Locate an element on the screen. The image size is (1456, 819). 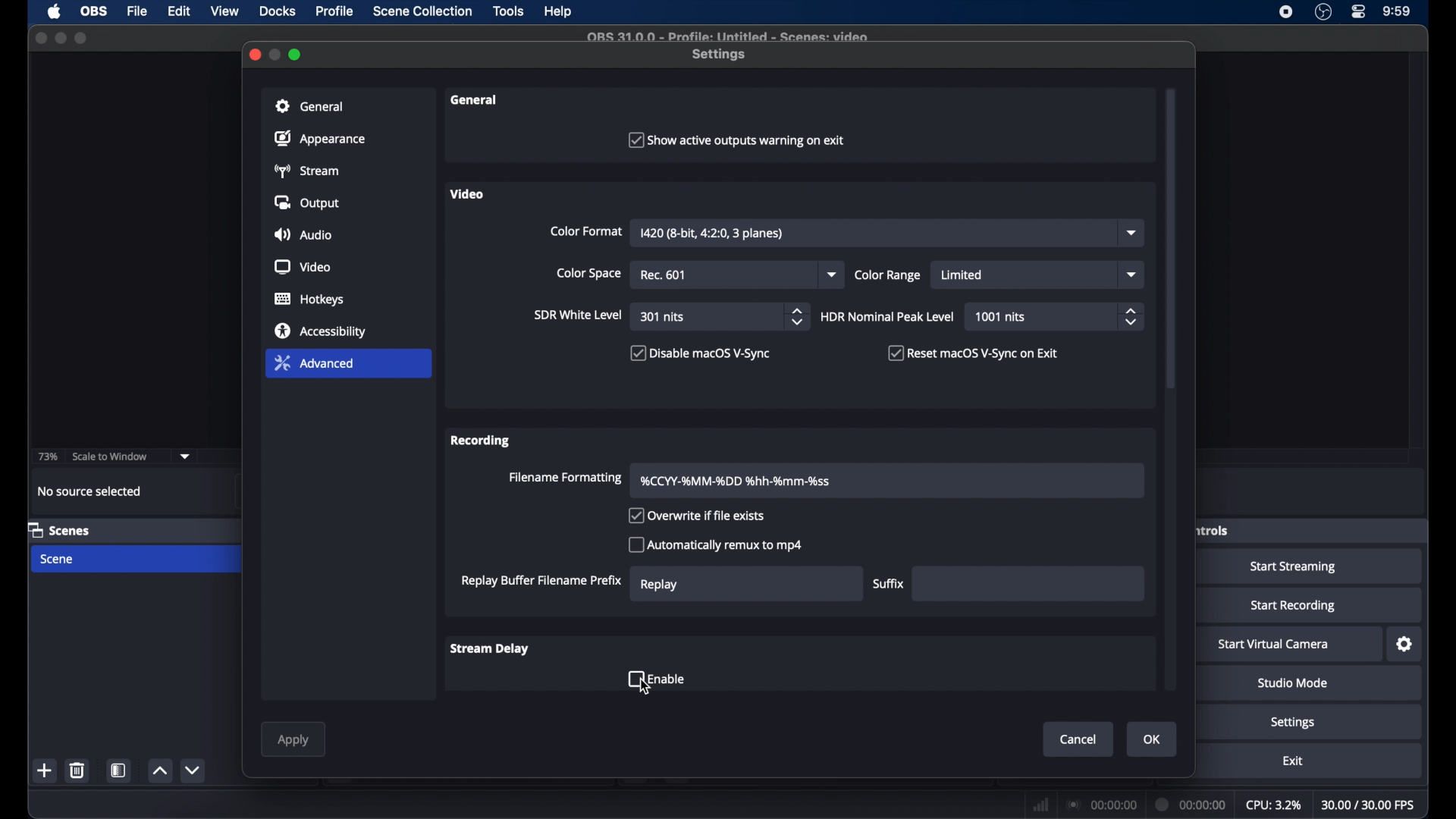
start virtual camera is located at coordinates (1274, 645).